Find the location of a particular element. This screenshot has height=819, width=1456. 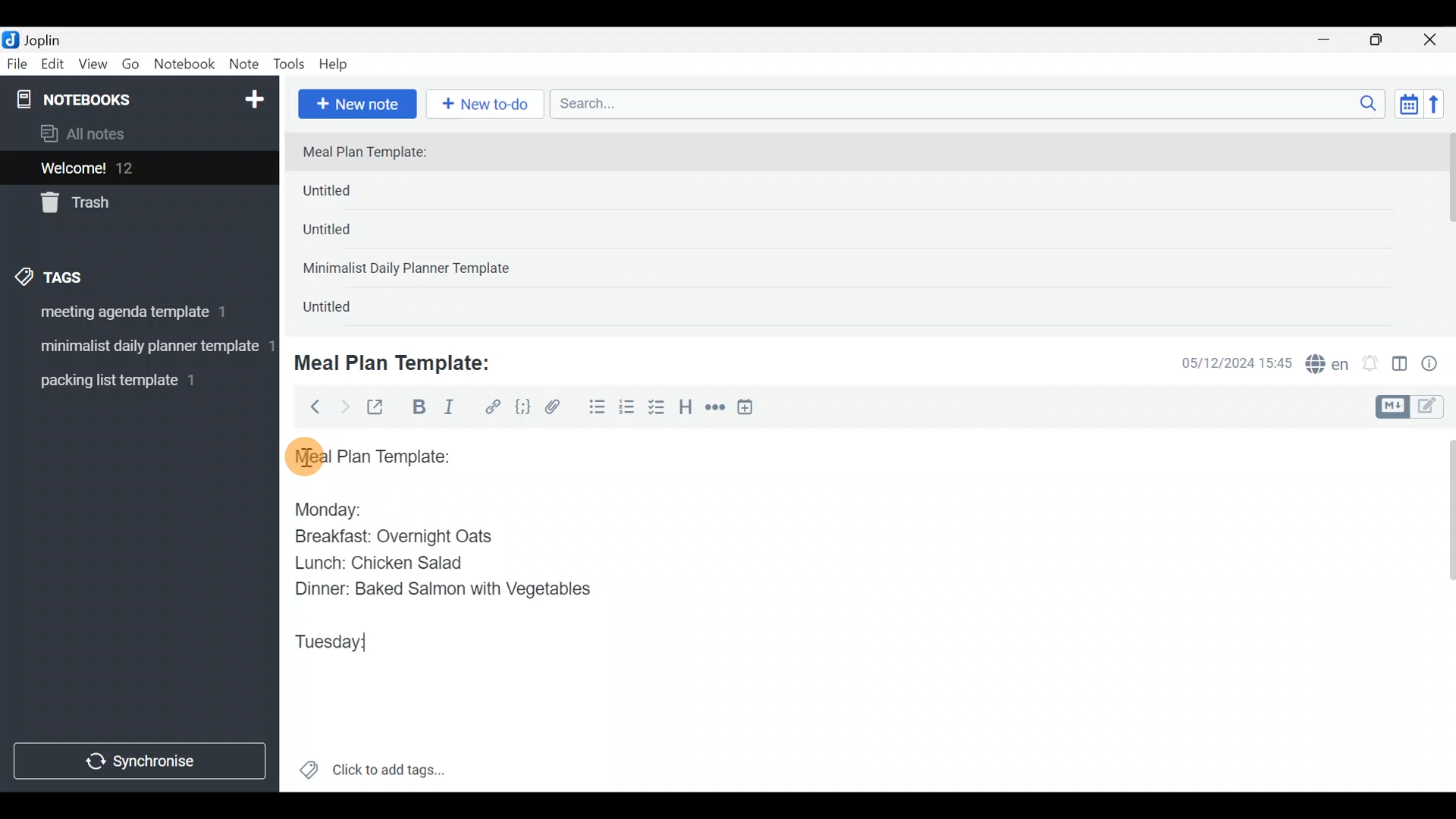

Meal Plan Template: is located at coordinates (402, 361).